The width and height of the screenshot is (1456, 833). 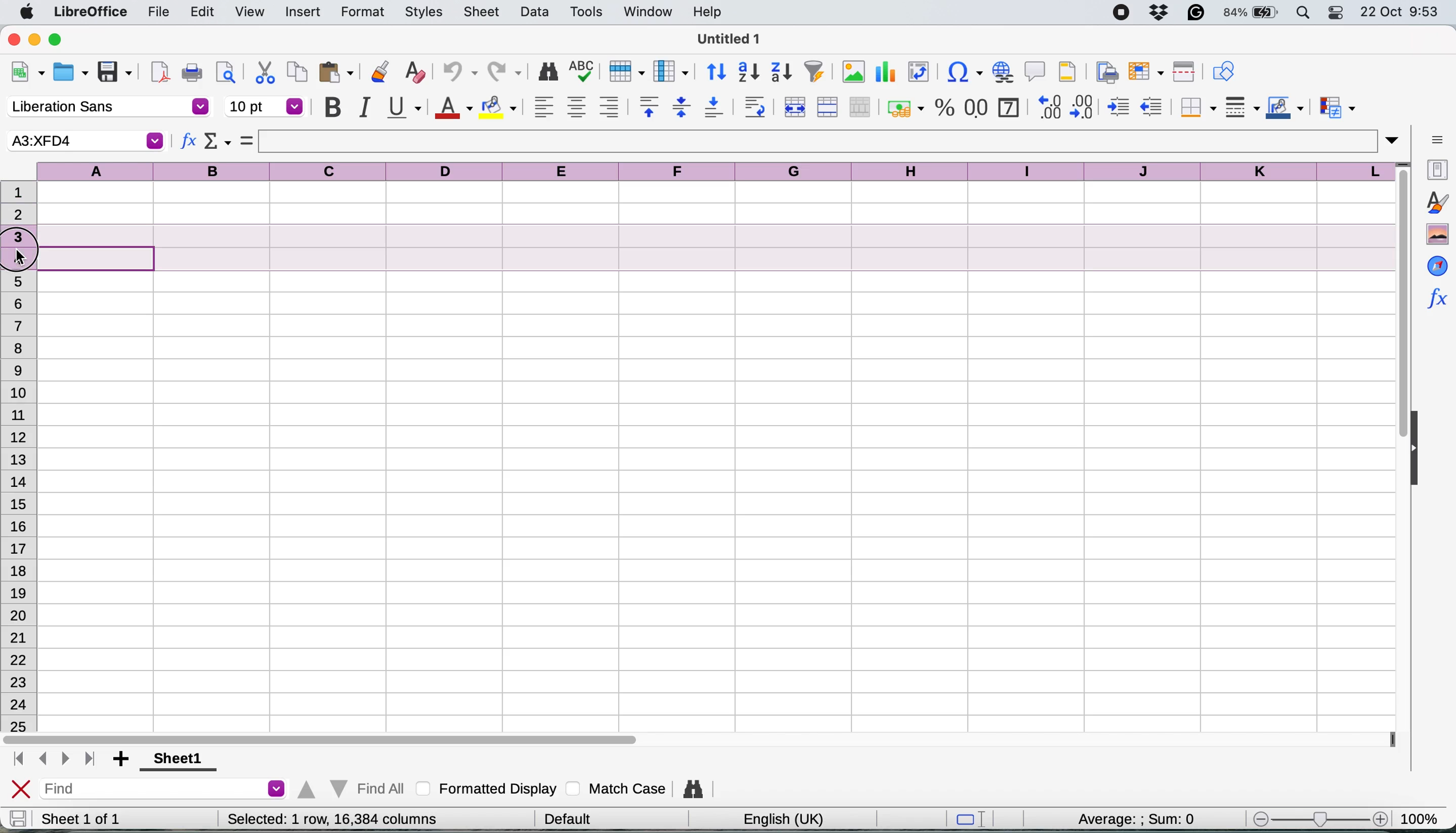 I want to click on spotlight search, so click(x=1304, y=13).